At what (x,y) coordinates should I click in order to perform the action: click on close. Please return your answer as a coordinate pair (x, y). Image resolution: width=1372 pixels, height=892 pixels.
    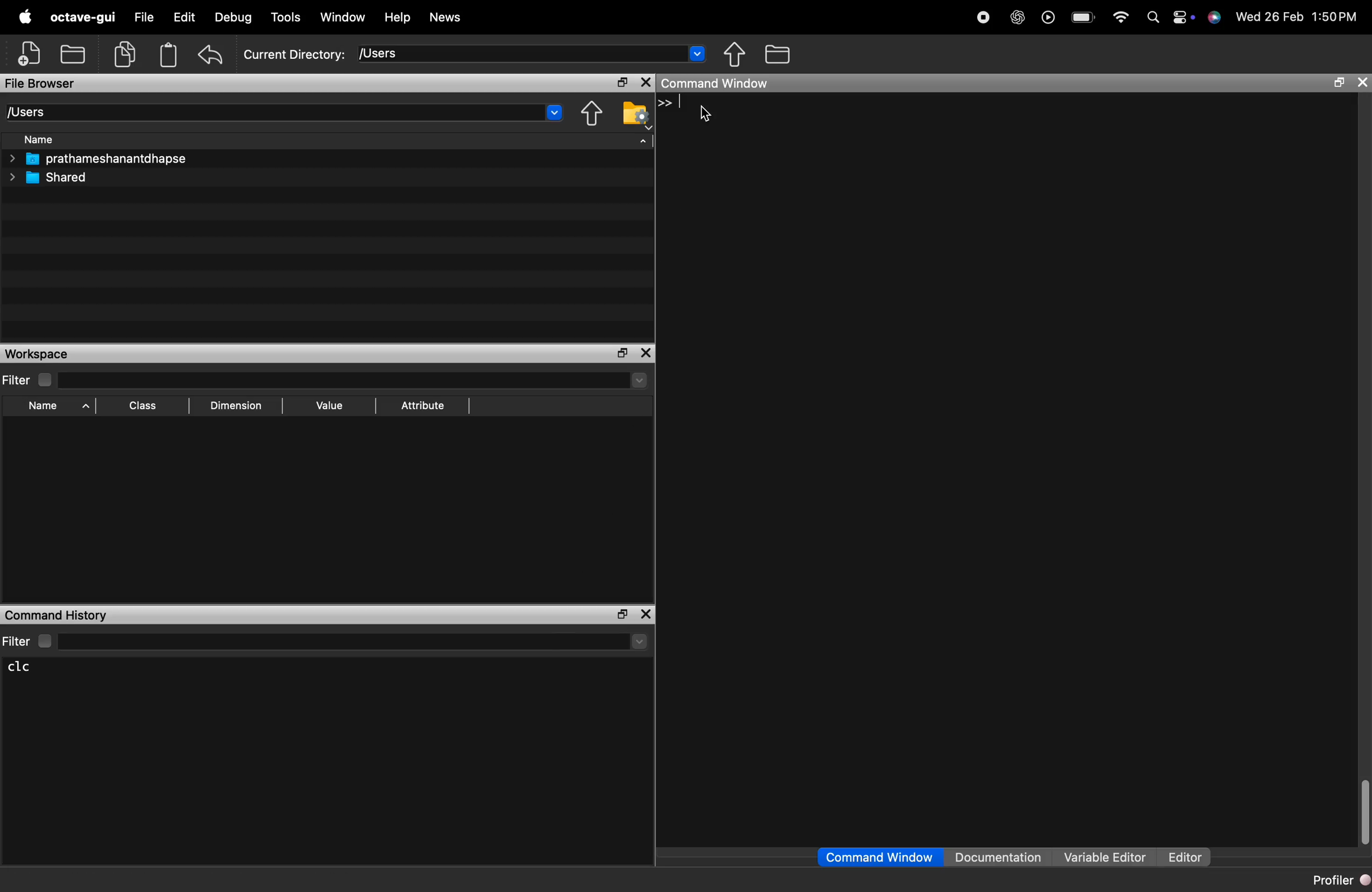
    Looking at the image, I should click on (646, 614).